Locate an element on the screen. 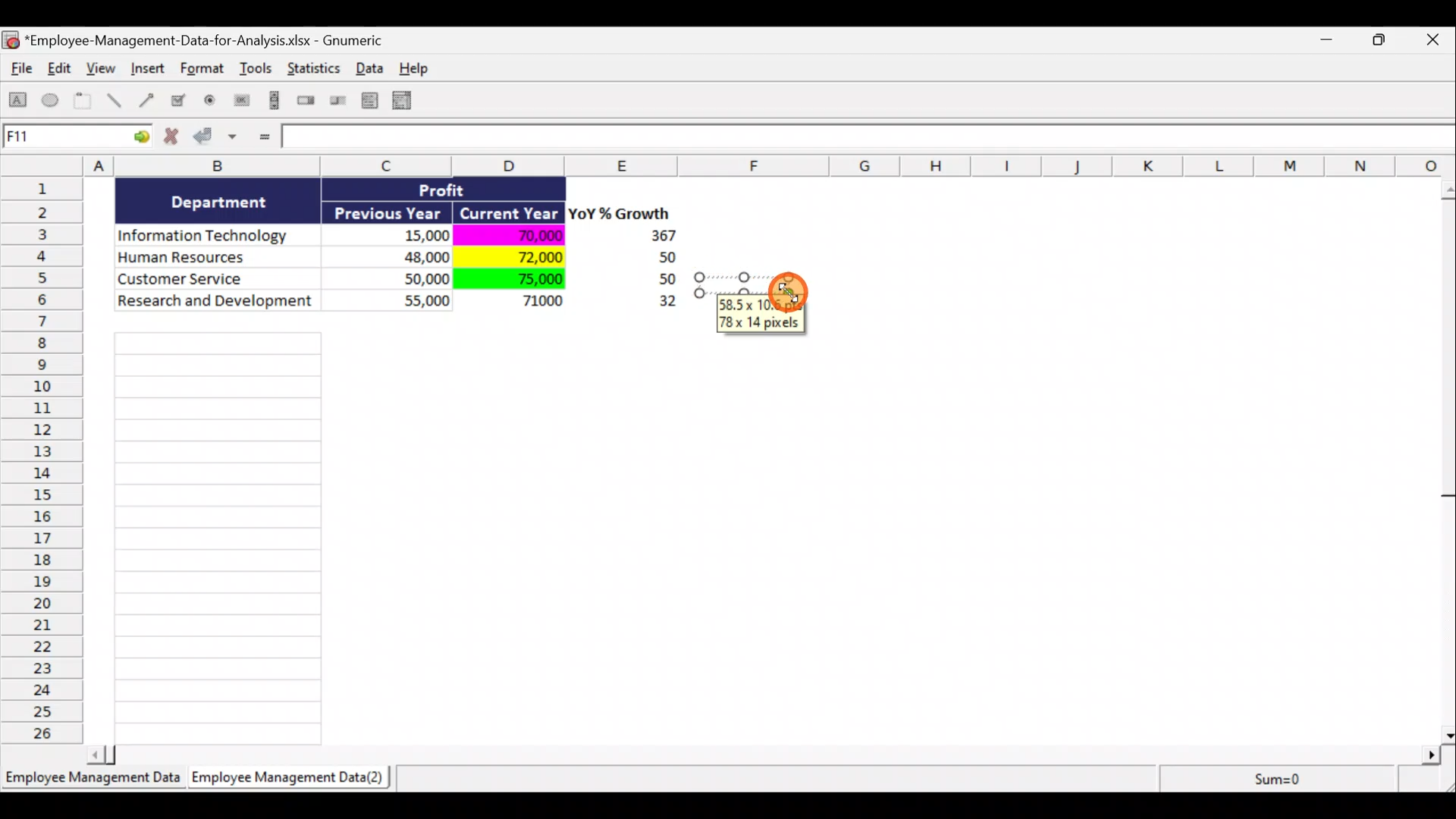  Create a slider is located at coordinates (336, 103).